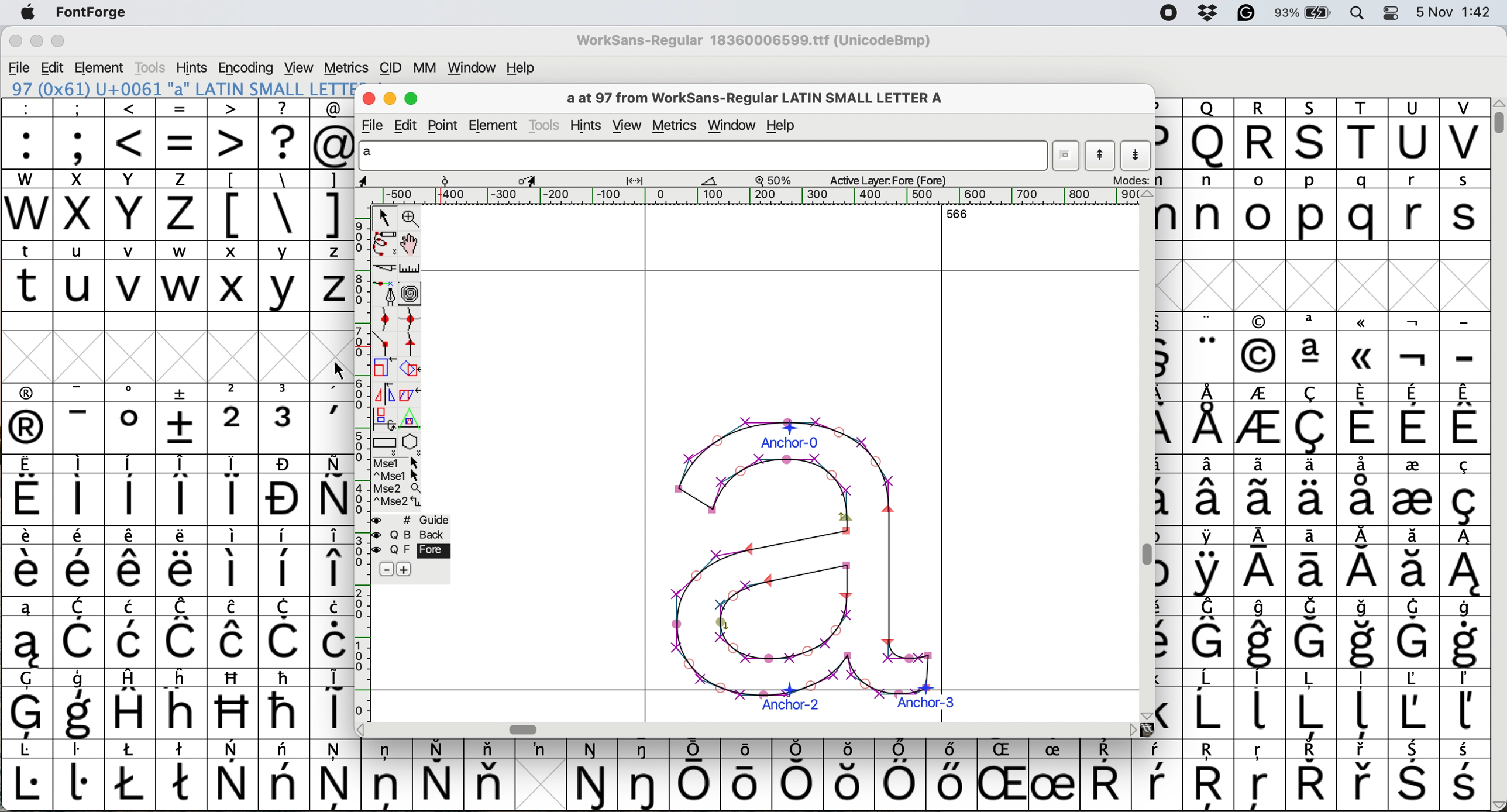 This screenshot has width=1507, height=812. I want to click on , so click(1259, 348).